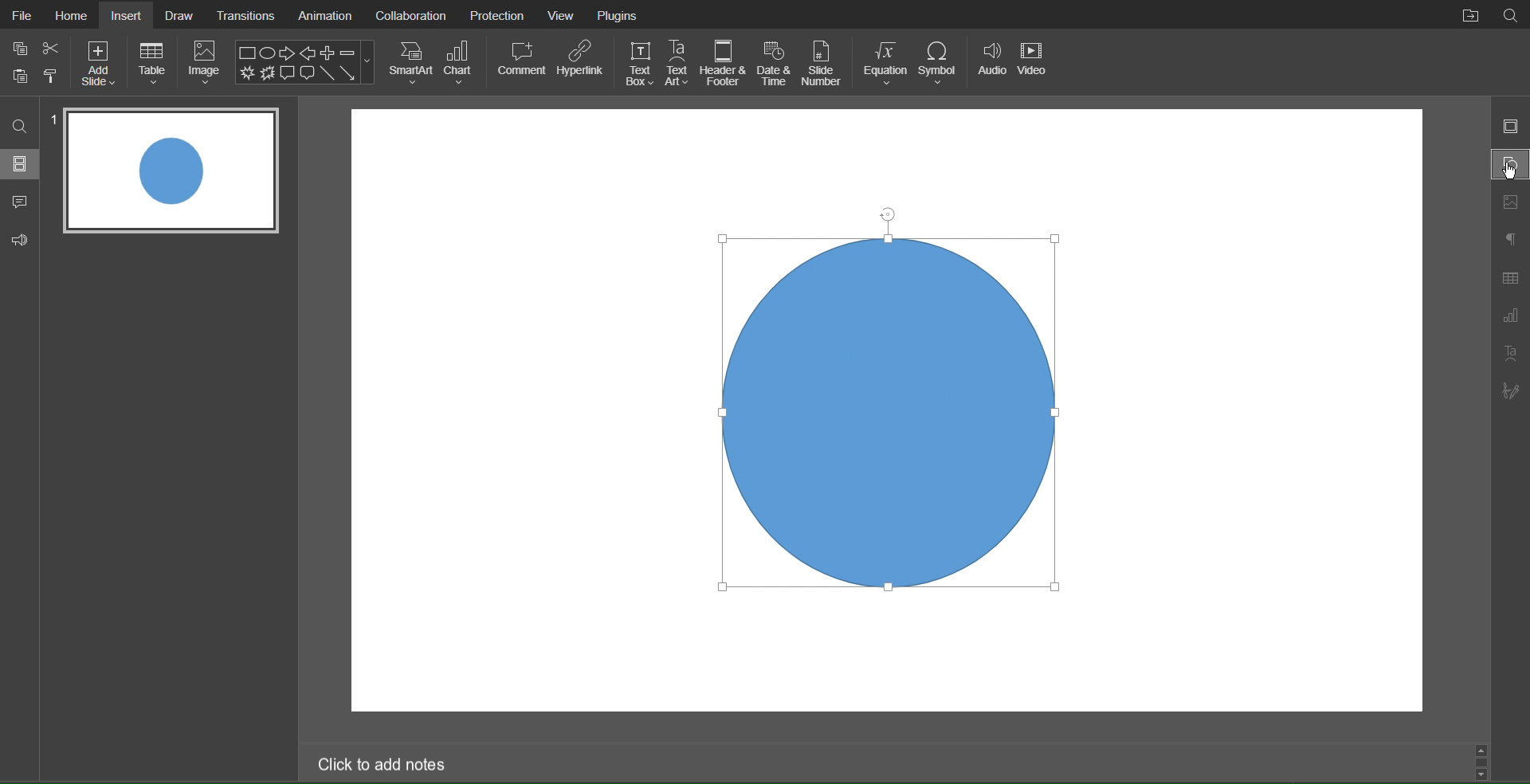 The height and width of the screenshot is (784, 1530). What do you see at coordinates (1512, 16) in the screenshot?
I see `Search` at bounding box center [1512, 16].